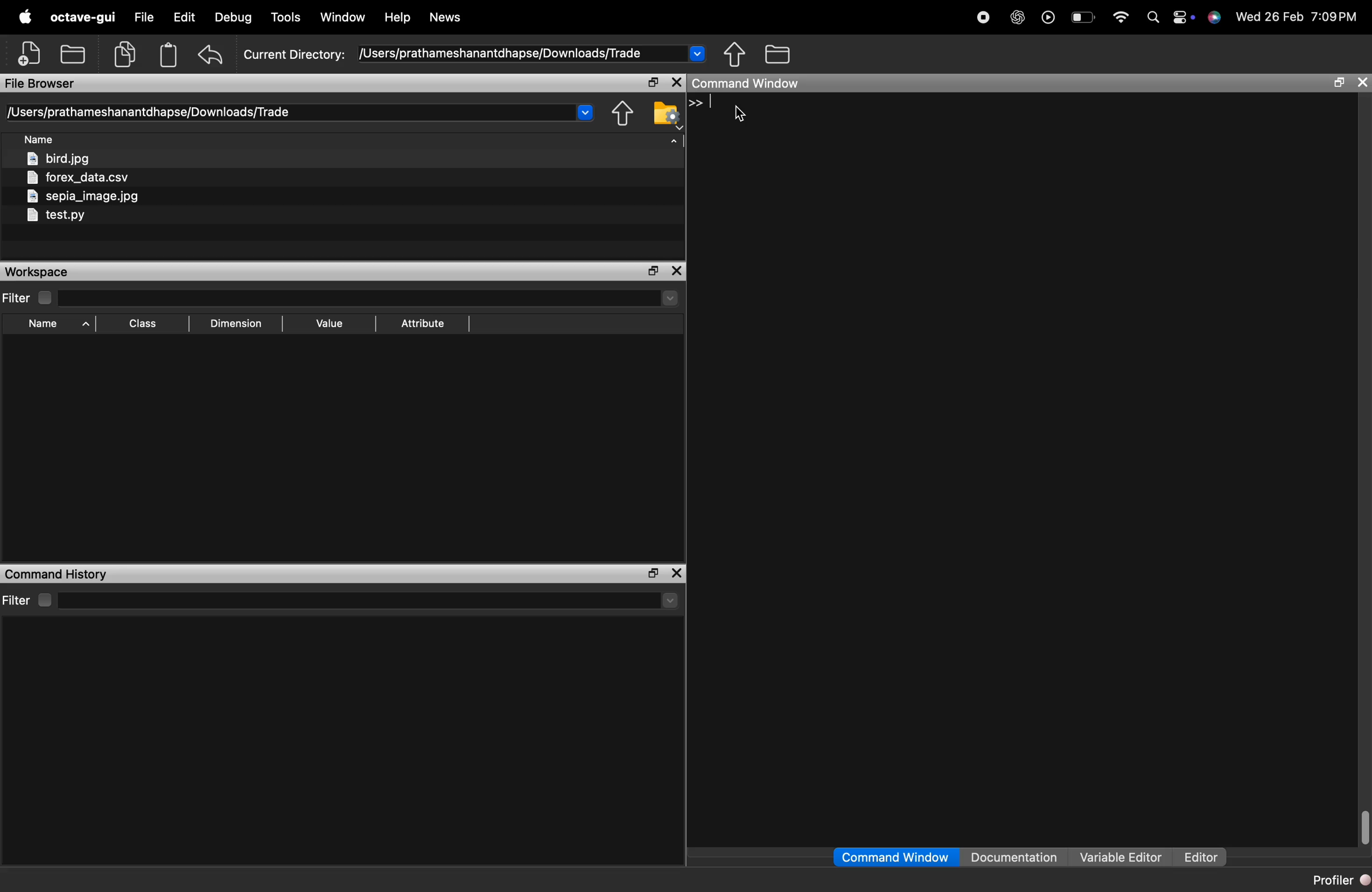 This screenshot has width=1372, height=892. Describe the element at coordinates (1049, 19) in the screenshot. I see `play` at that location.